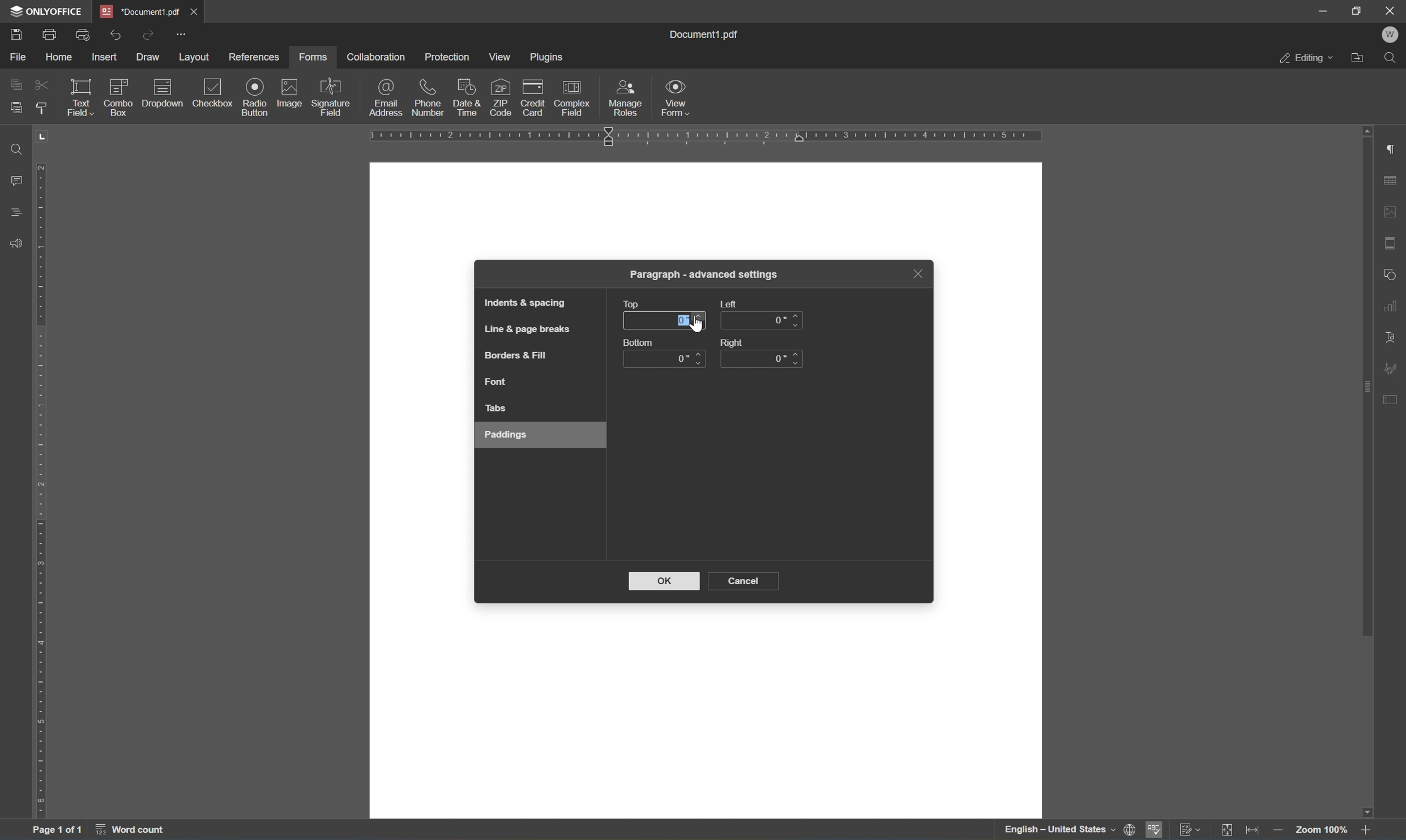 This screenshot has height=840, width=1406. Describe the element at coordinates (164, 93) in the screenshot. I see `dropdown` at that location.